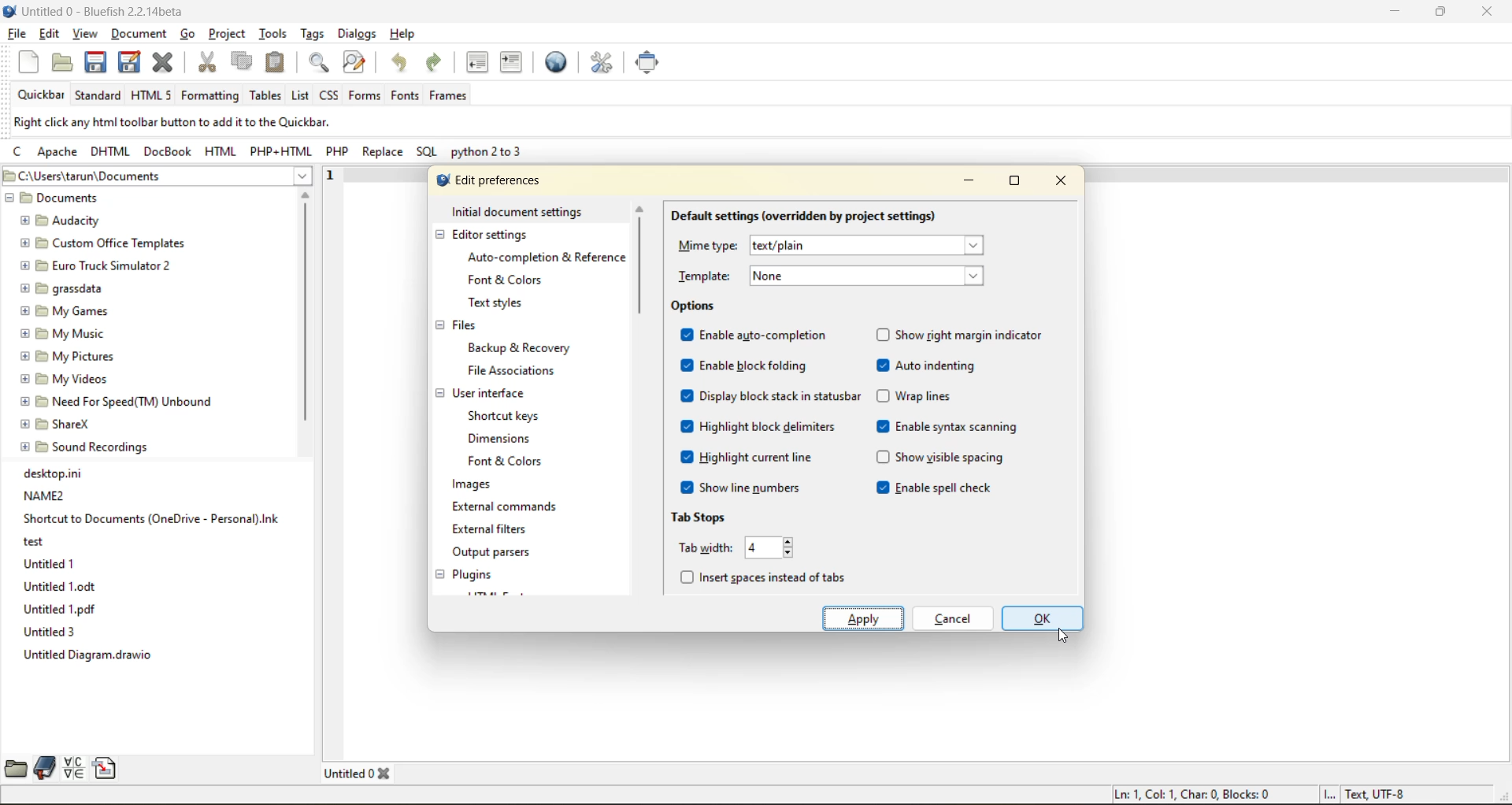 Image resolution: width=1512 pixels, height=805 pixels. I want to click on vertical scroll bar, so click(305, 314).